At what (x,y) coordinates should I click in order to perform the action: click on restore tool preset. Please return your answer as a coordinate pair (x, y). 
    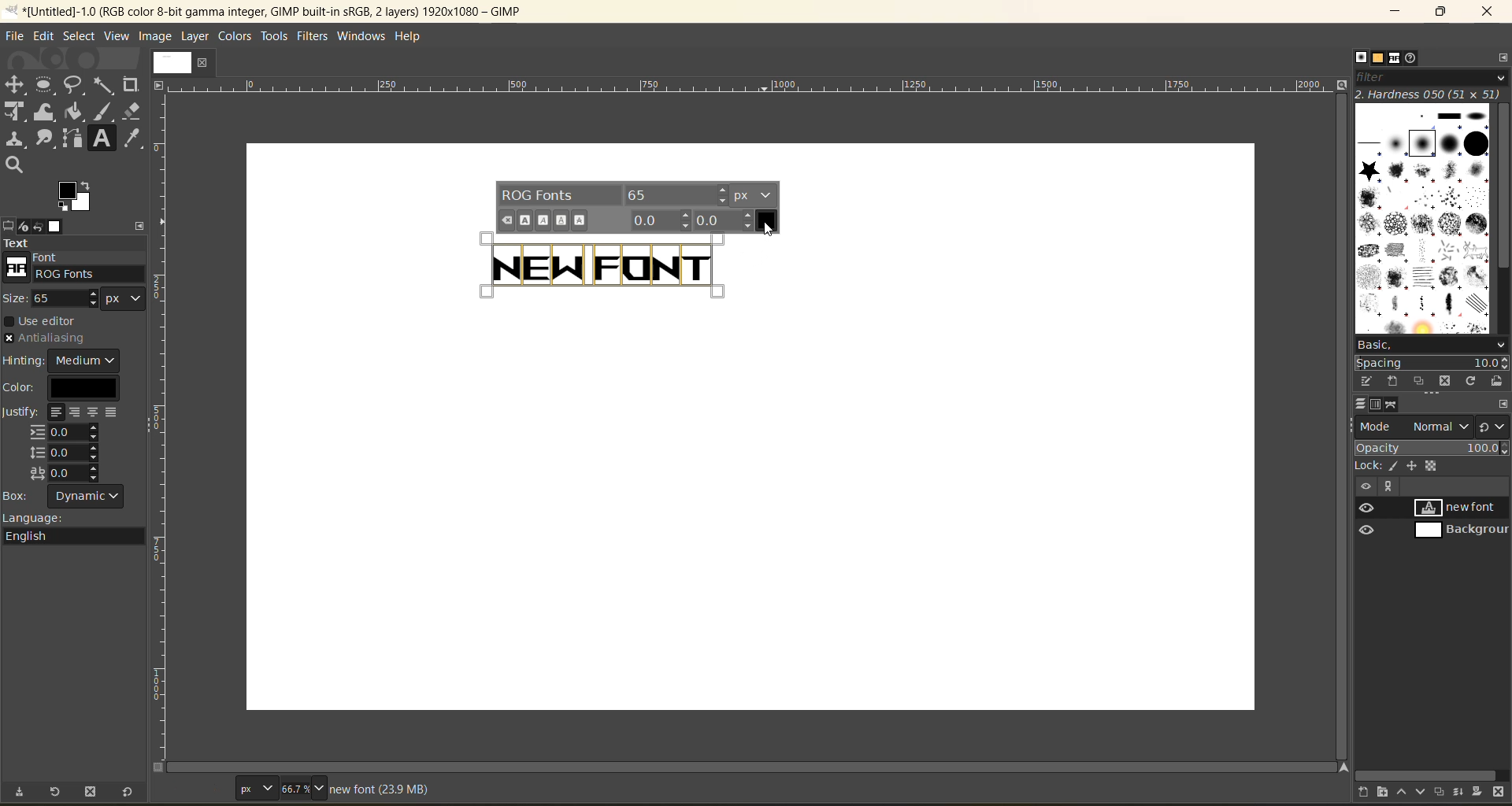
    Looking at the image, I should click on (57, 792).